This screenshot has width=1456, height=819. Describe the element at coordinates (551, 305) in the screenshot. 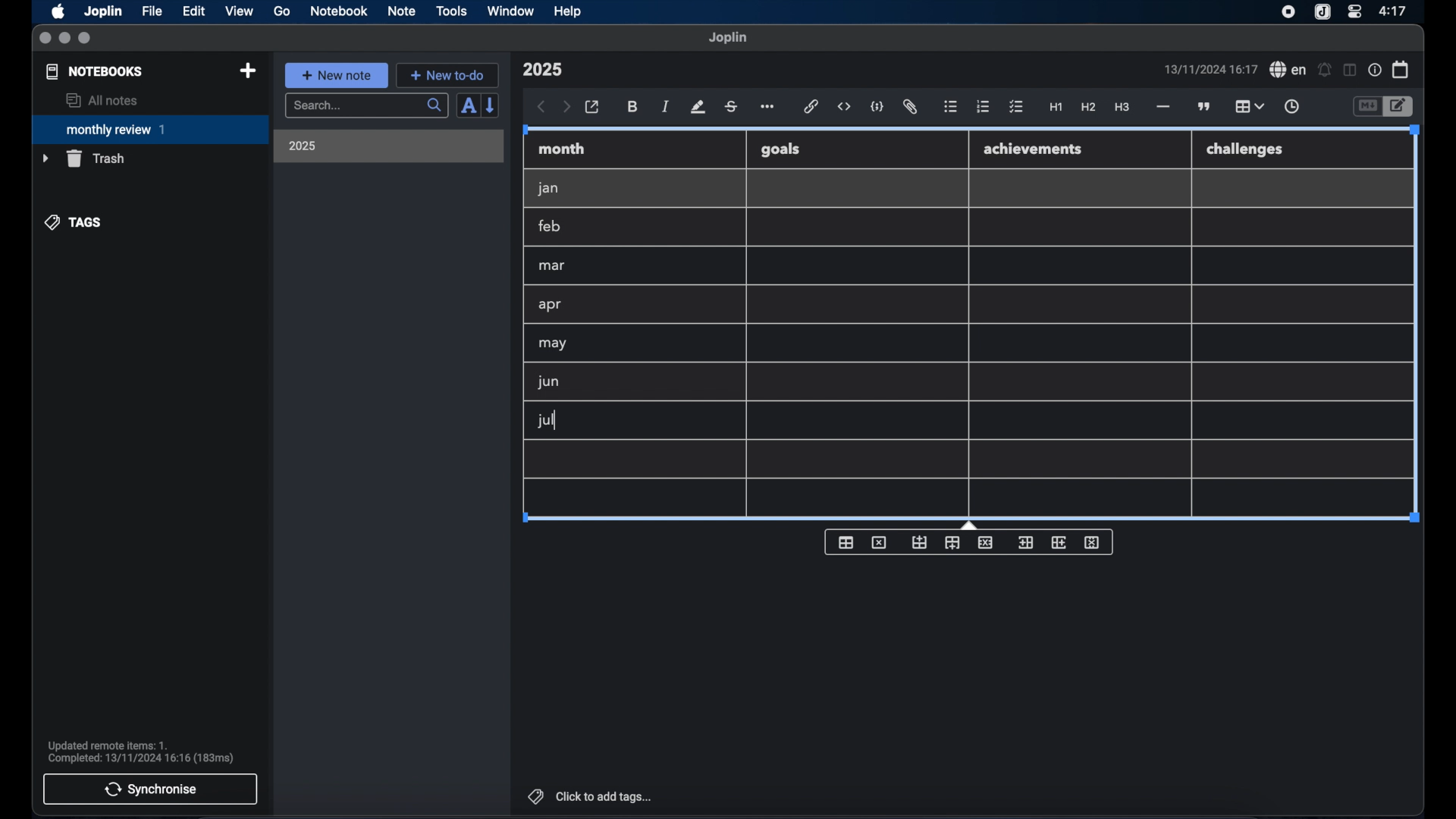

I see `apr` at that location.